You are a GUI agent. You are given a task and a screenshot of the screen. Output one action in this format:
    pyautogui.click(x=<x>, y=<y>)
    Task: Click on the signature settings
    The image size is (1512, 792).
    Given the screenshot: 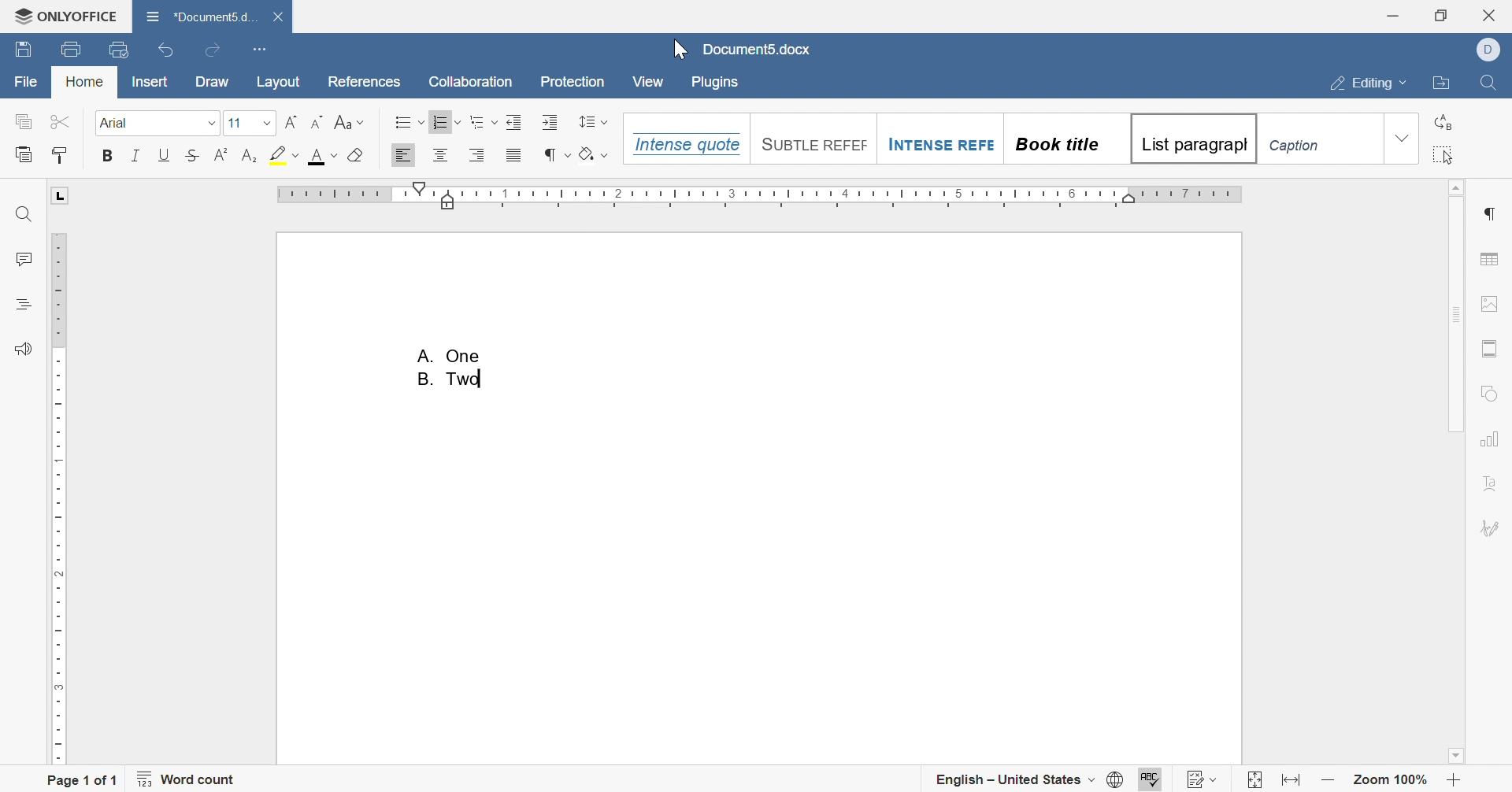 What is the action you would take?
    pyautogui.click(x=1492, y=529)
    